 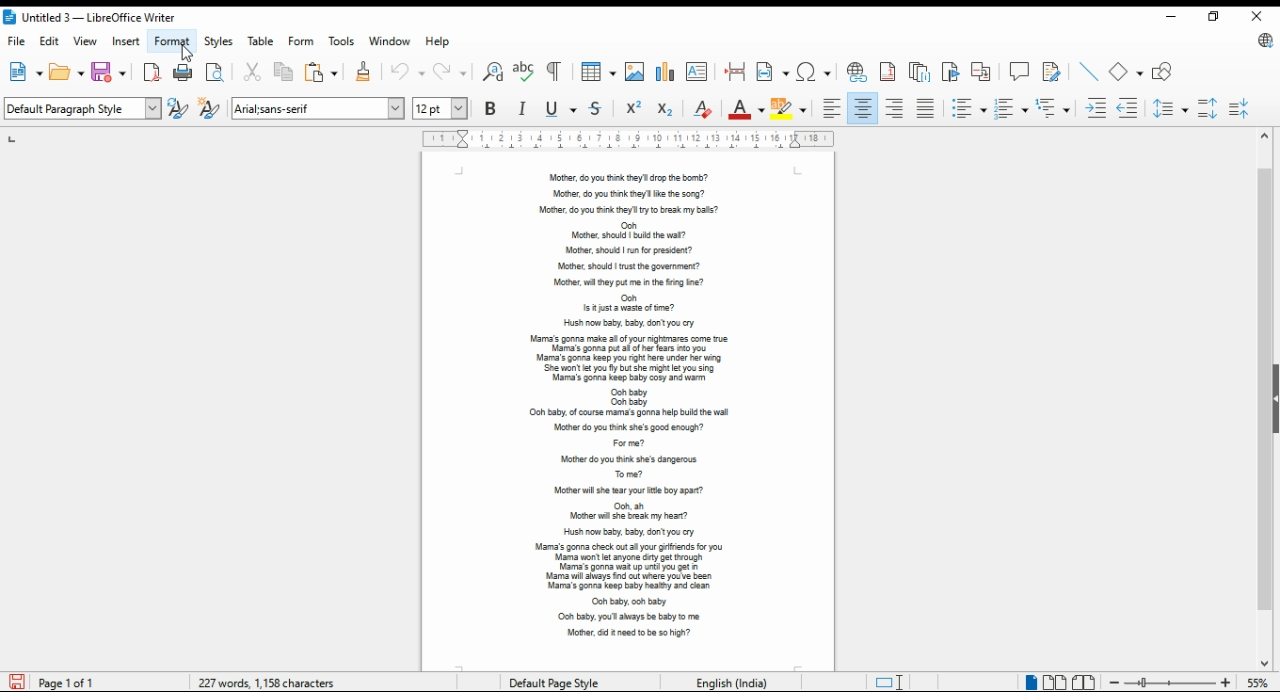 What do you see at coordinates (254, 71) in the screenshot?
I see `cut` at bounding box center [254, 71].